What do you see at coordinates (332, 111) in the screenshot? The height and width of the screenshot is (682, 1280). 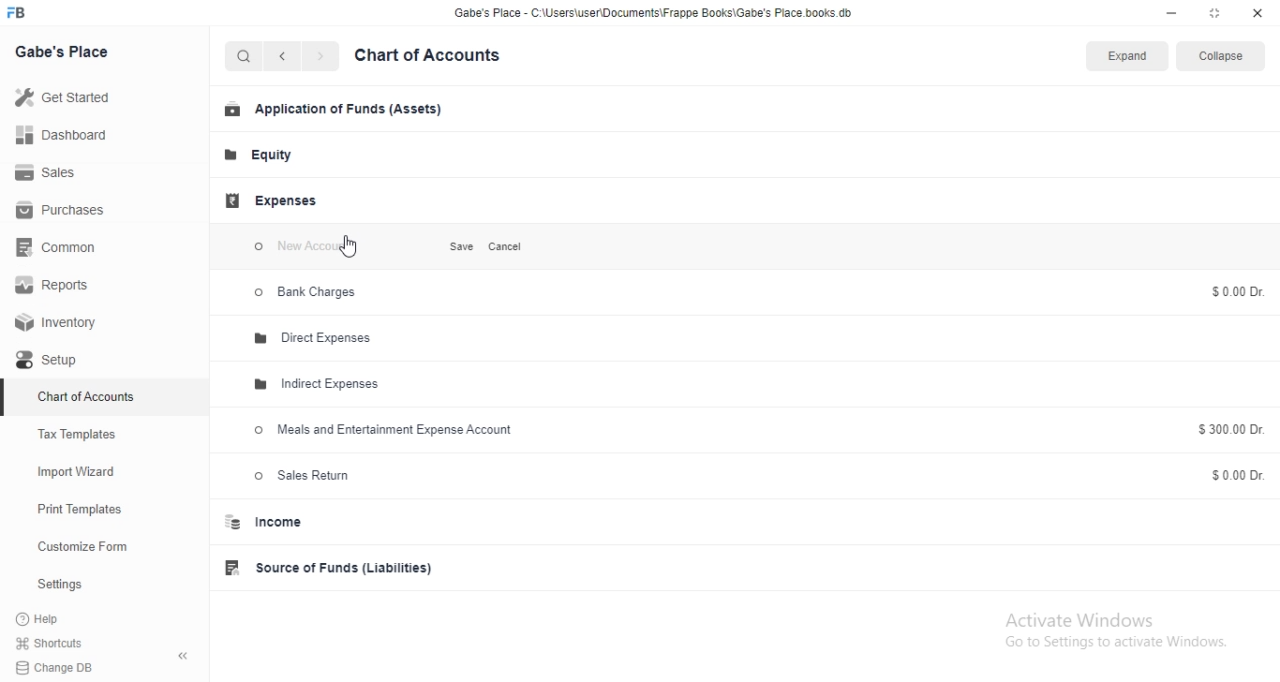 I see `Application of Funds (Assets)` at bounding box center [332, 111].